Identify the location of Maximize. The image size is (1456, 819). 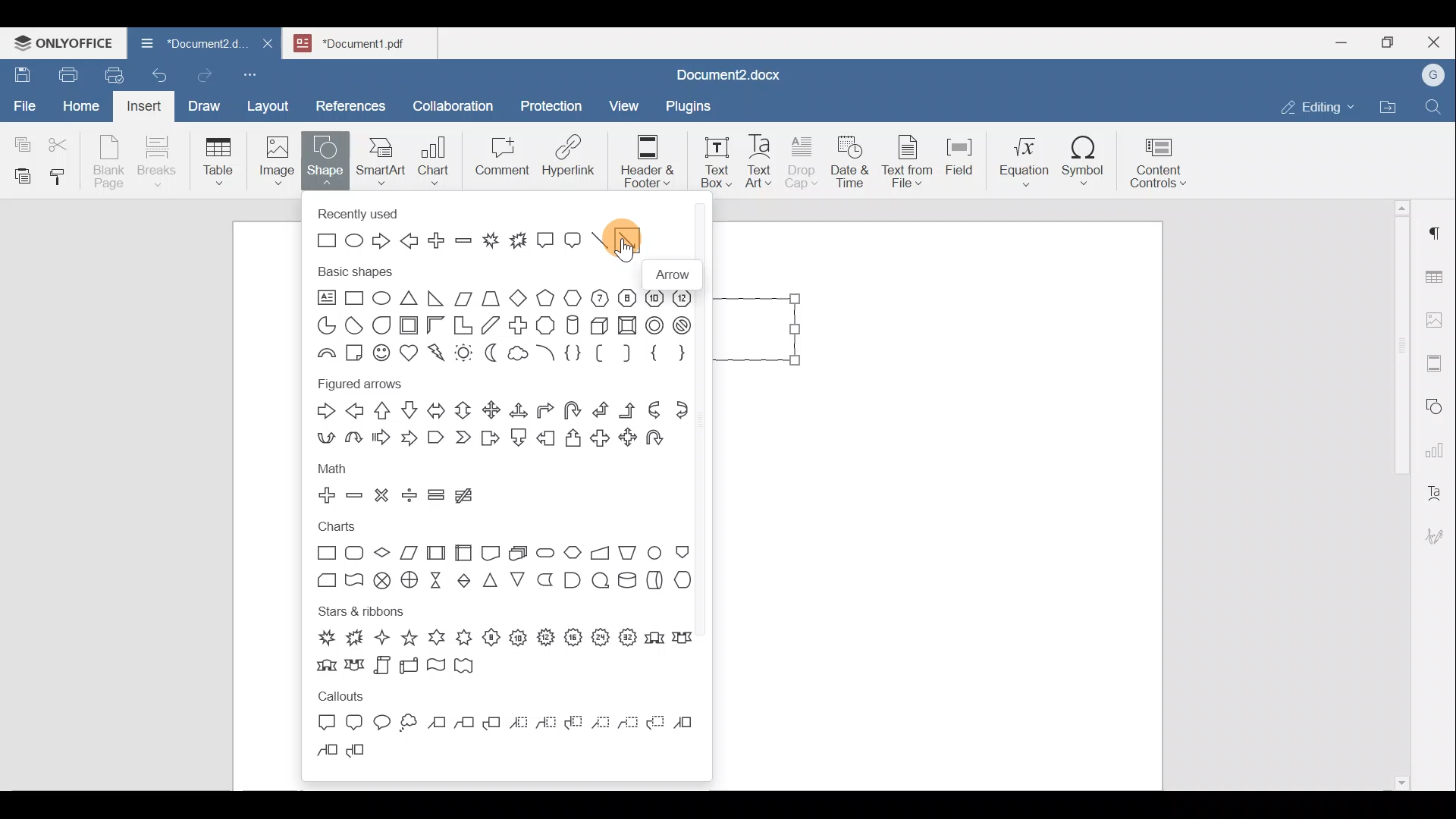
(1388, 42).